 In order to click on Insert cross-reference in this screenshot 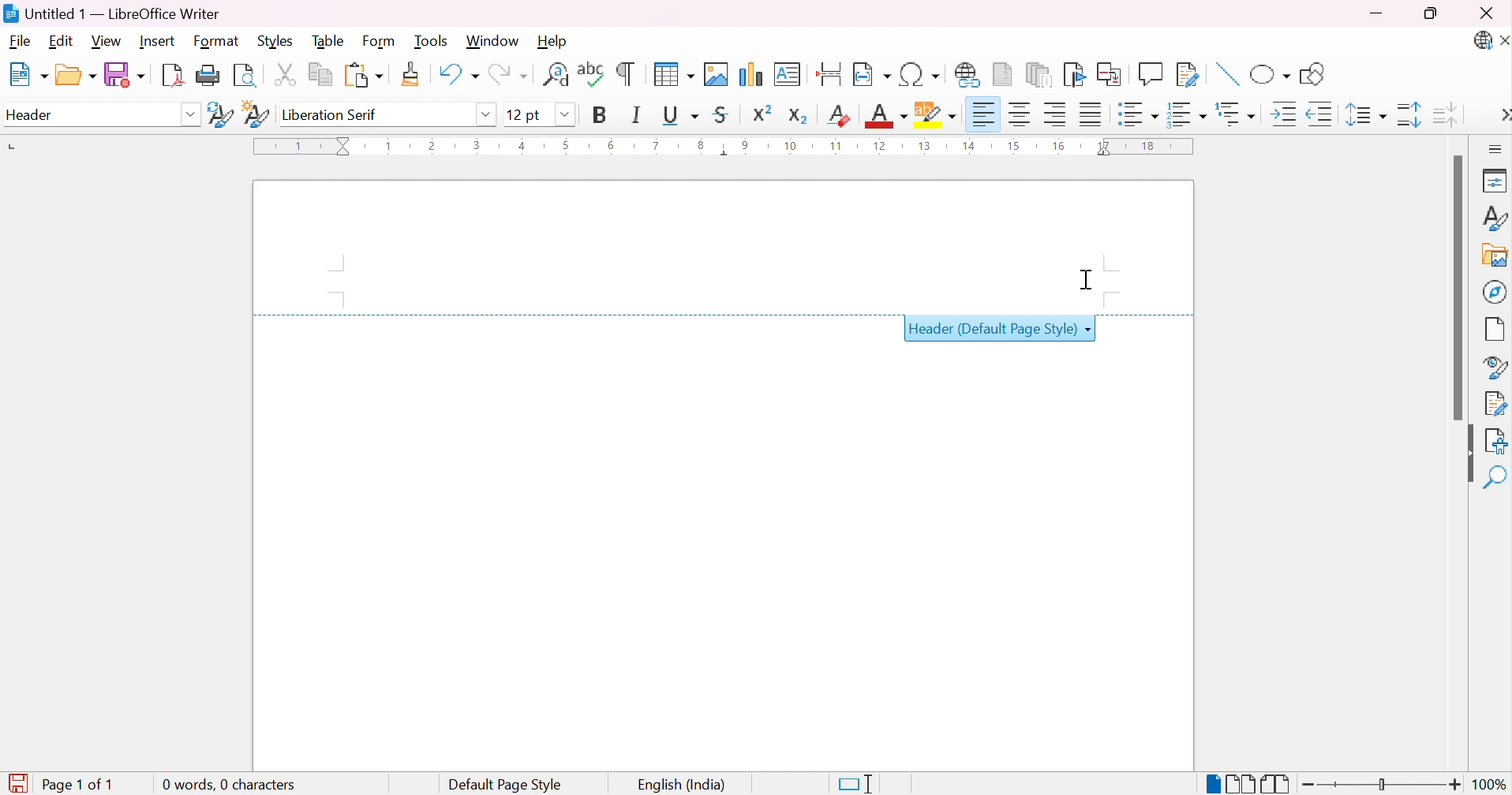, I will do `click(1111, 75)`.